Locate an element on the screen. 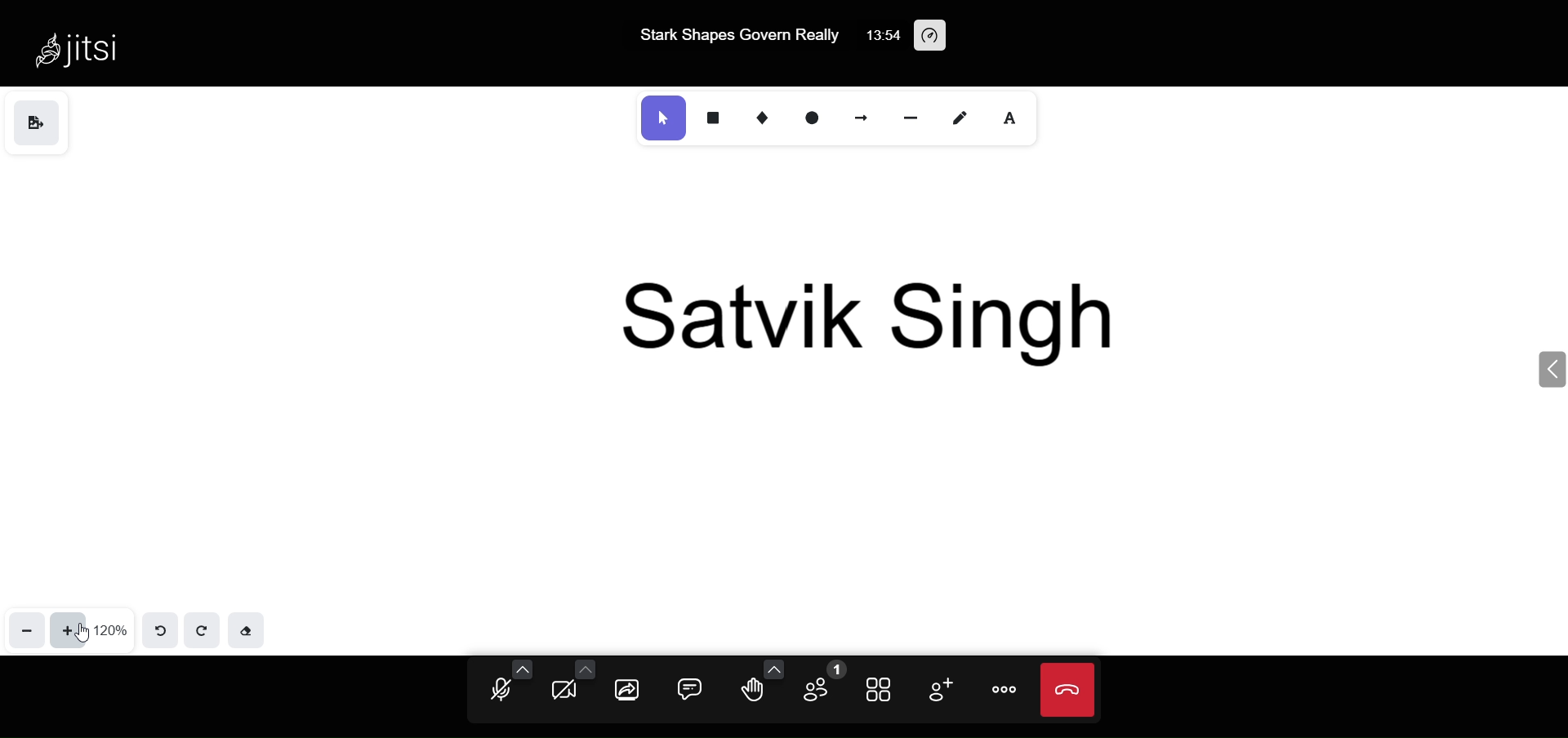 This screenshot has height=738, width=1568. select is located at coordinates (662, 117).